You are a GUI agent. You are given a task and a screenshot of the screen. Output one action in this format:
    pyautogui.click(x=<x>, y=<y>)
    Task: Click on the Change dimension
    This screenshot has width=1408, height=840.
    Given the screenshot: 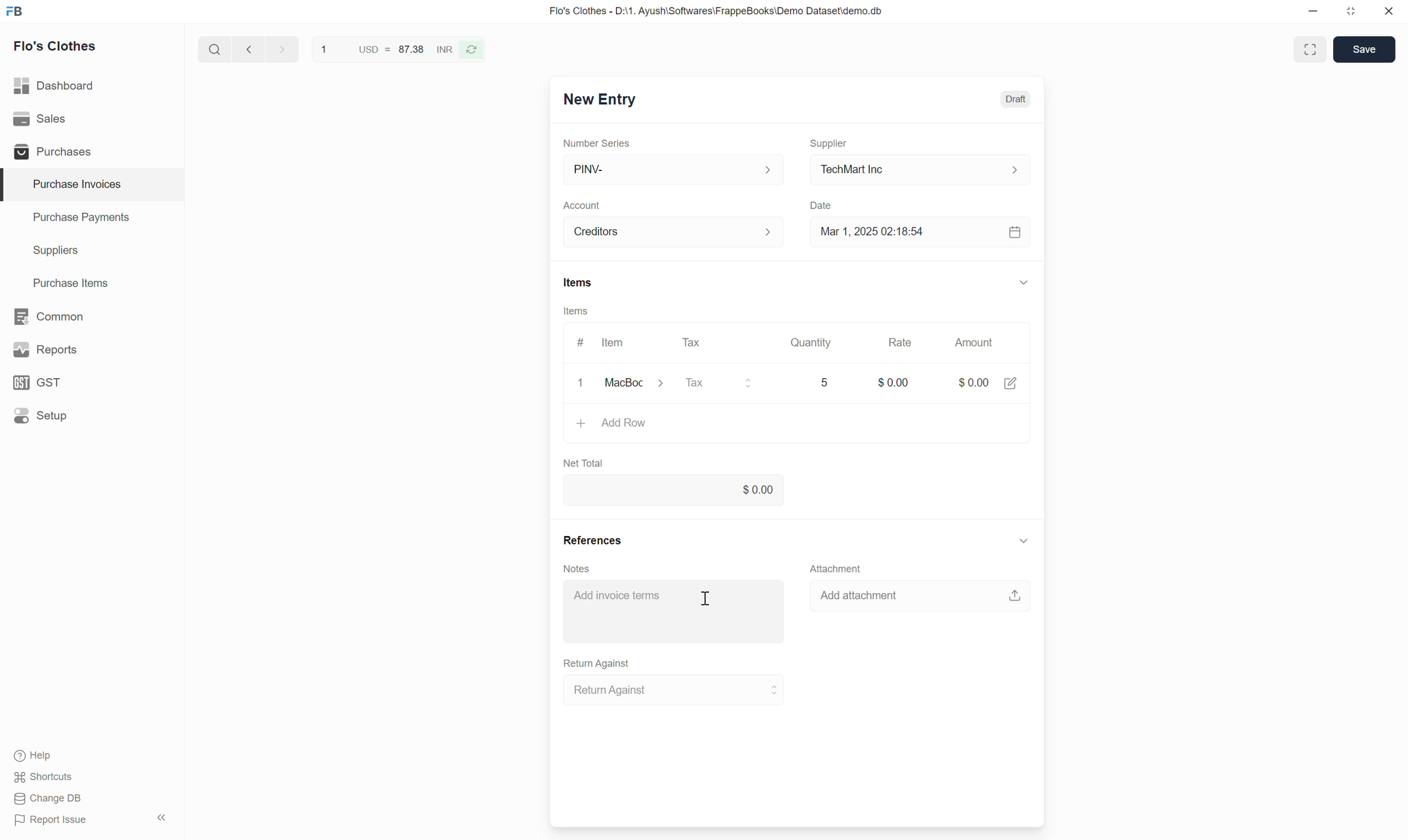 What is the action you would take?
    pyautogui.click(x=1351, y=11)
    